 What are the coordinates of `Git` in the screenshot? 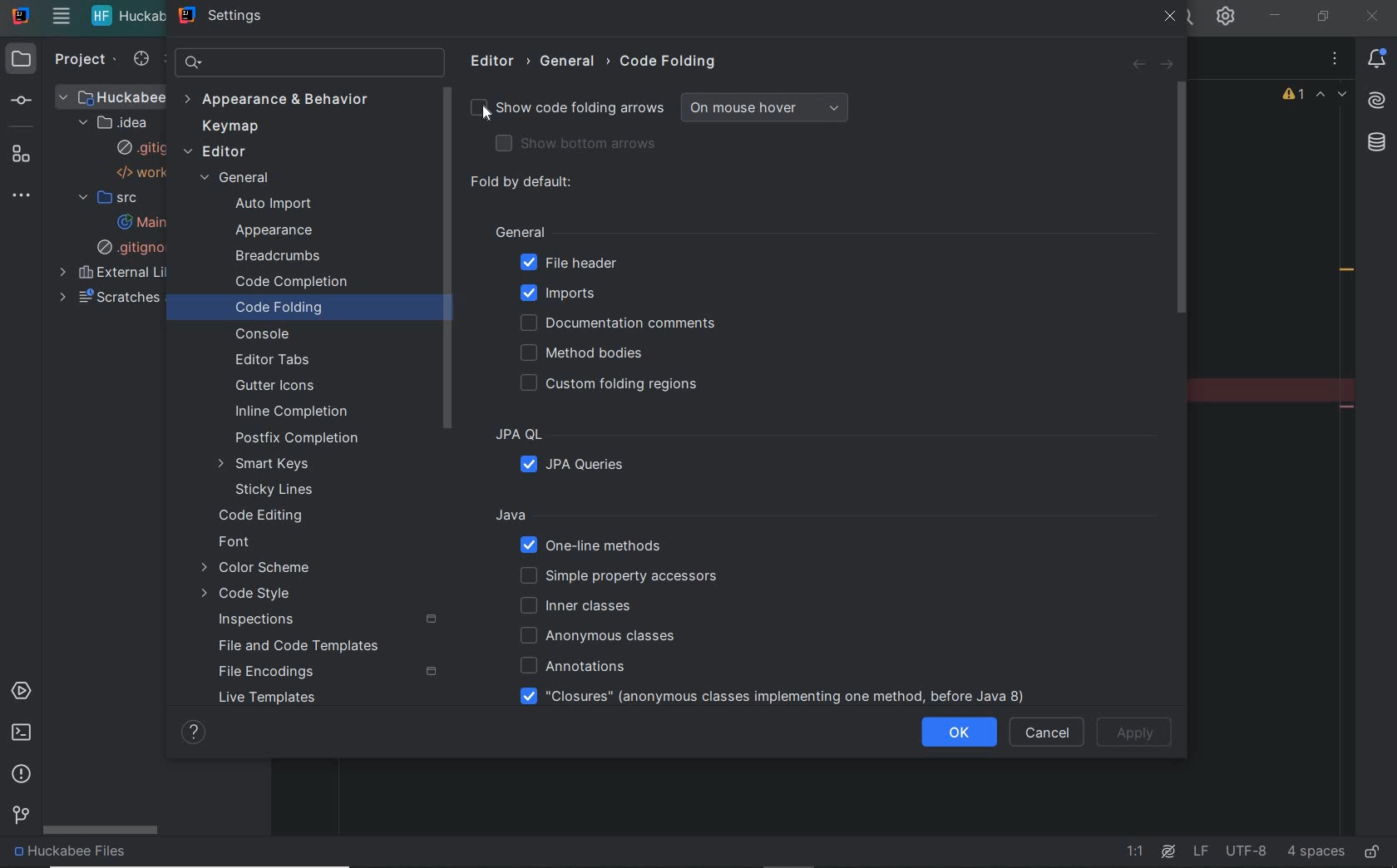 It's located at (19, 817).